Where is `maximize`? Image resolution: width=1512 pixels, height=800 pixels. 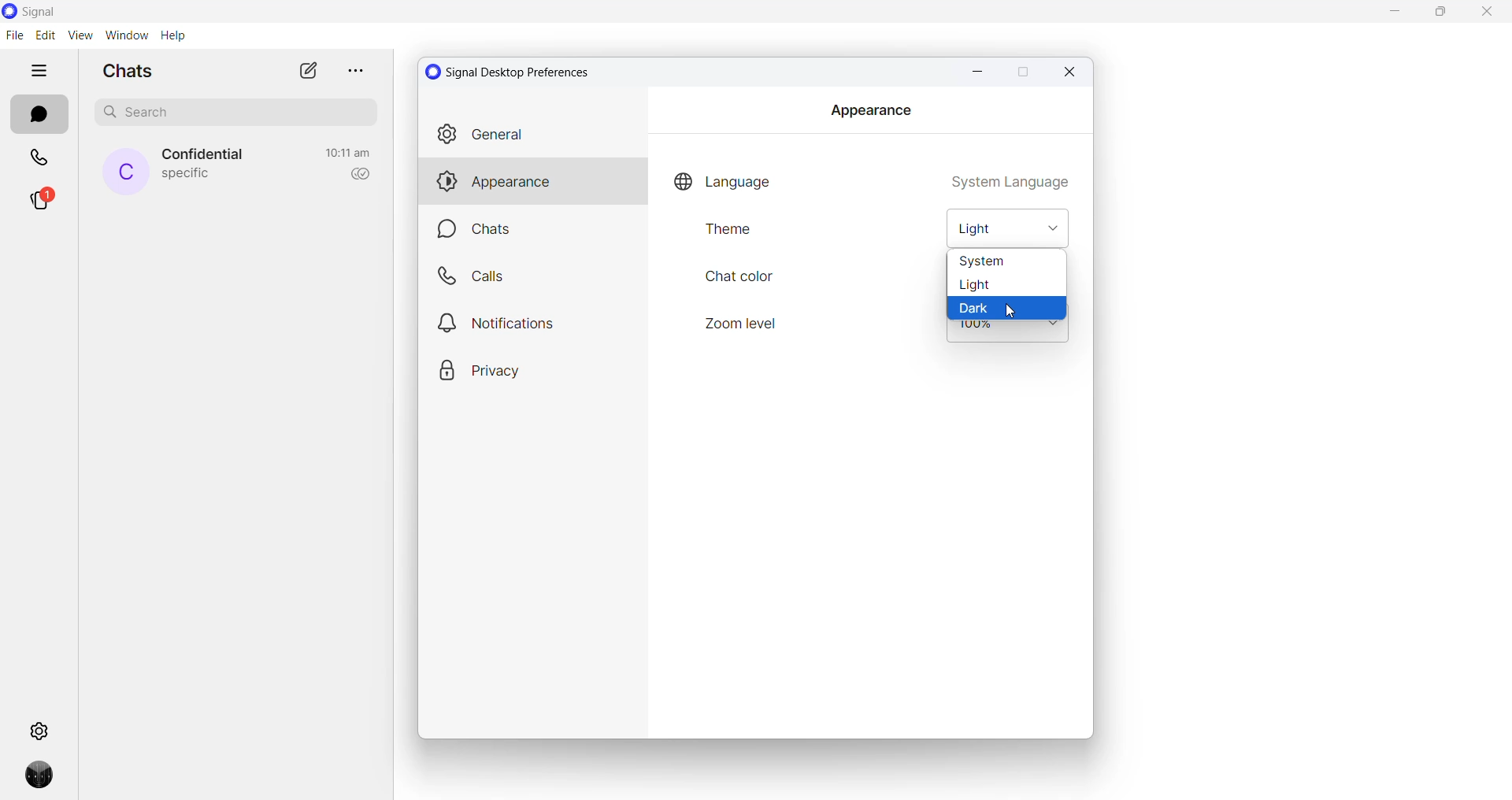
maximize is located at coordinates (1445, 13).